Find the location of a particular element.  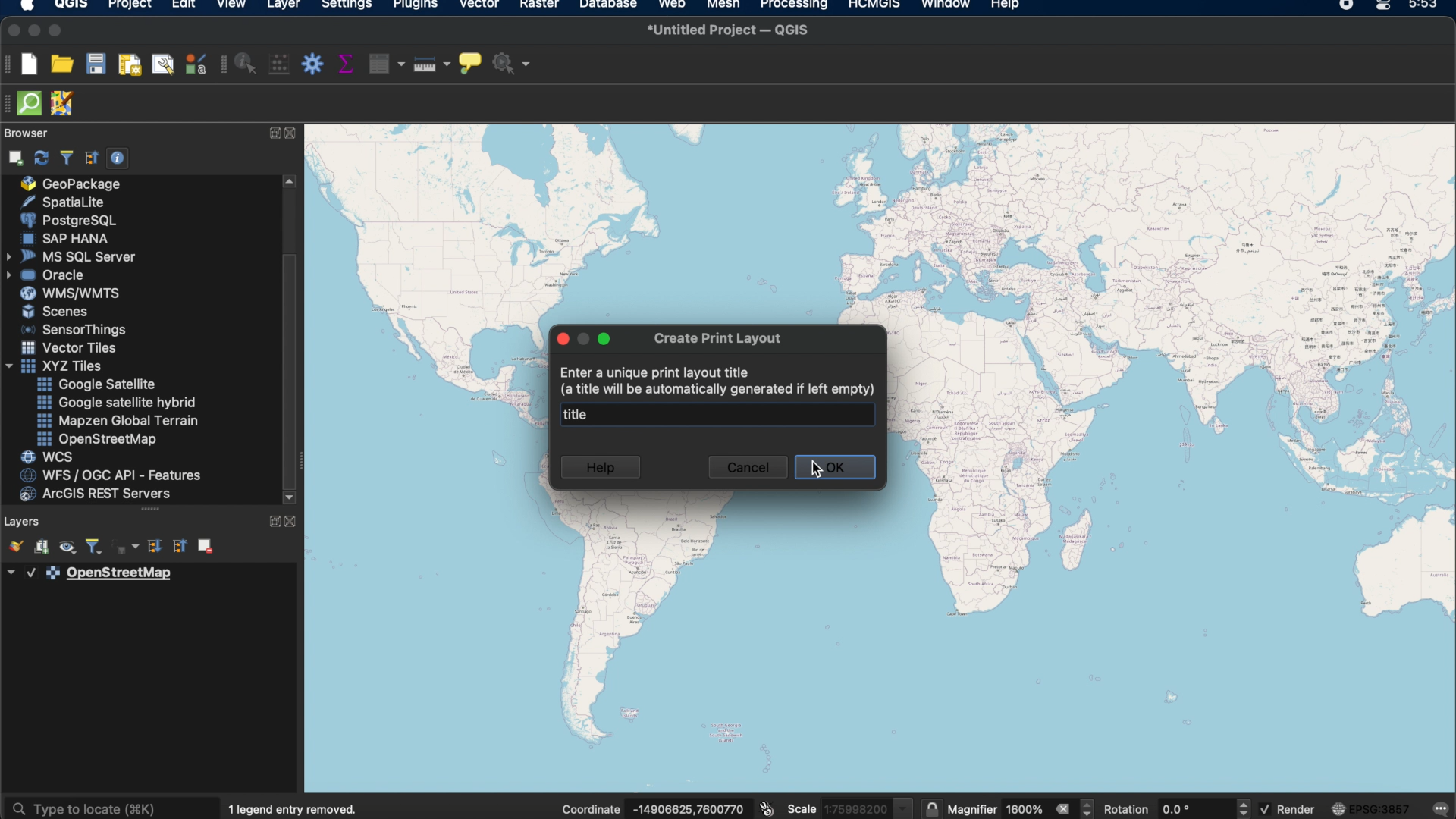

sensor things is located at coordinates (71, 330).